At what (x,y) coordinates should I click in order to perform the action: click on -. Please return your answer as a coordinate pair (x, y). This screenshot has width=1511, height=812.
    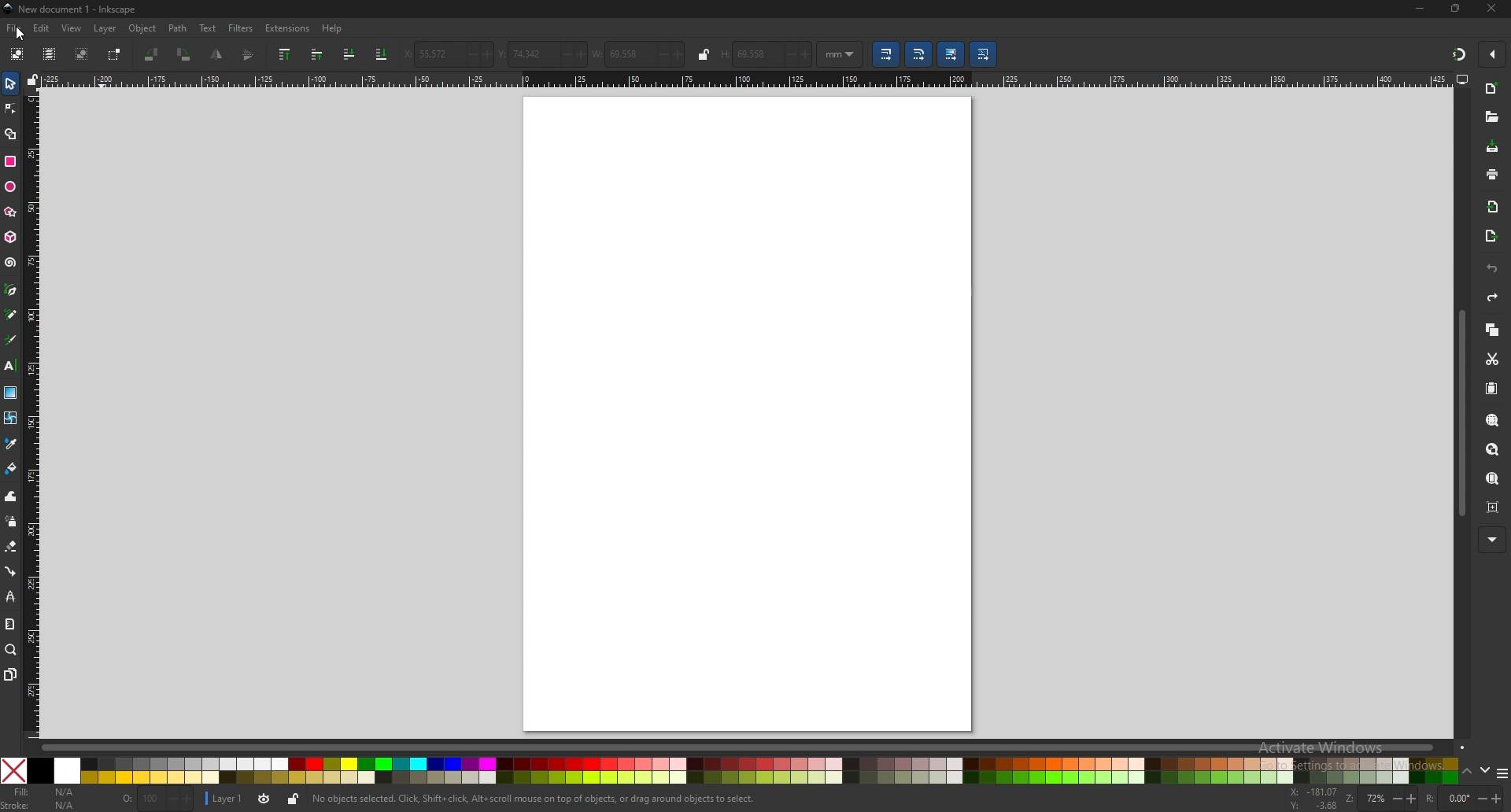
    Looking at the image, I should click on (557, 54).